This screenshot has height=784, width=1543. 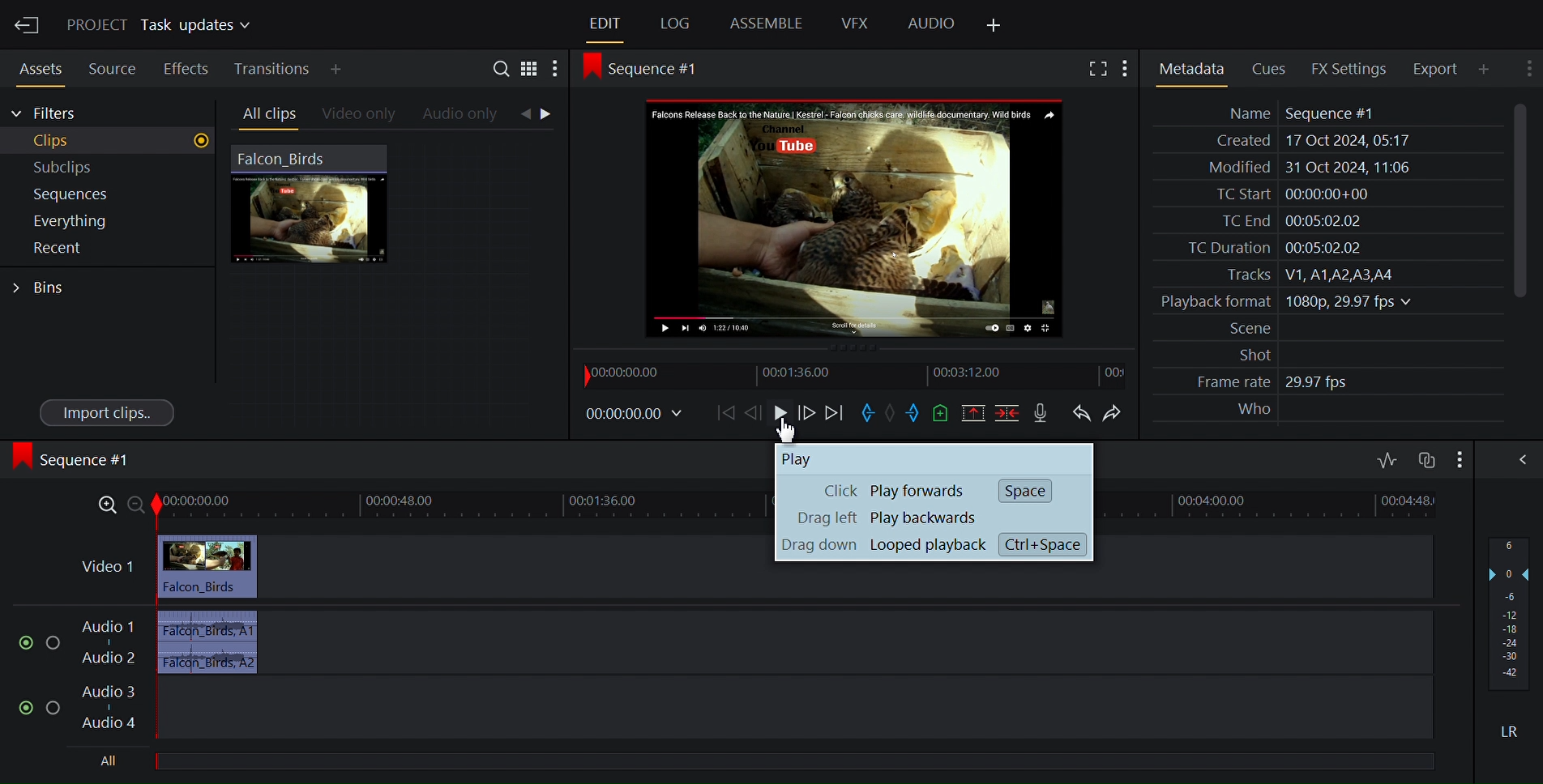 What do you see at coordinates (602, 23) in the screenshot?
I see `Edit` at bounding box center [602, 23].